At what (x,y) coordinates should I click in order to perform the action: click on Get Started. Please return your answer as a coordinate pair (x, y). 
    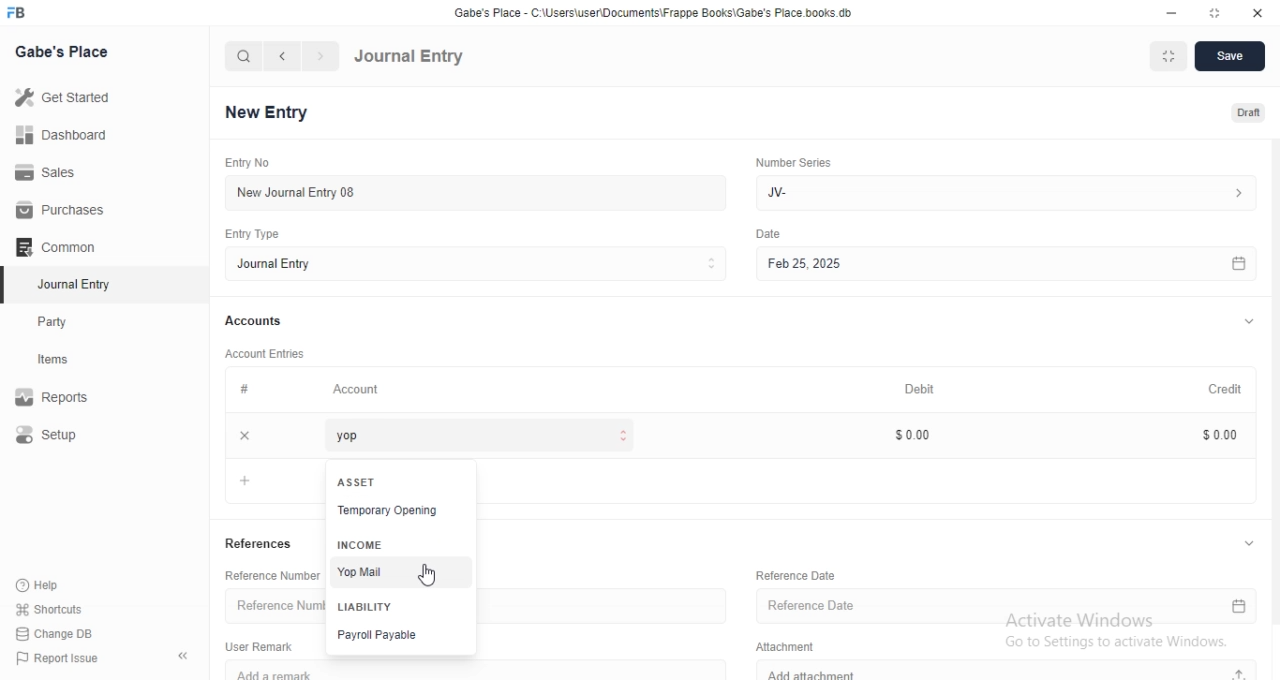
    Looking at the image, I should click on (68, 101).